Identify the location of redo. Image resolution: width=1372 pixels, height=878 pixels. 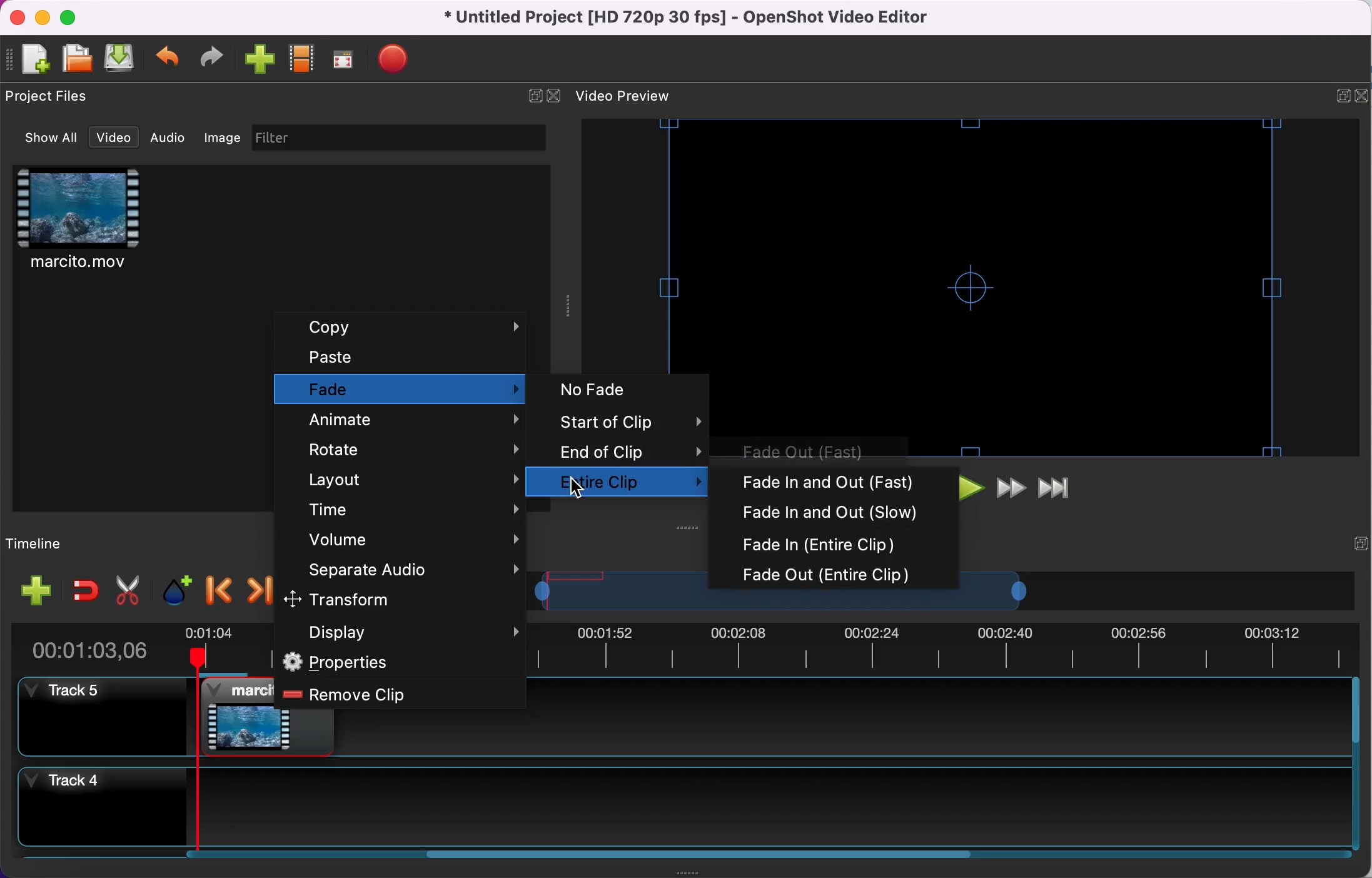
(210, 58).